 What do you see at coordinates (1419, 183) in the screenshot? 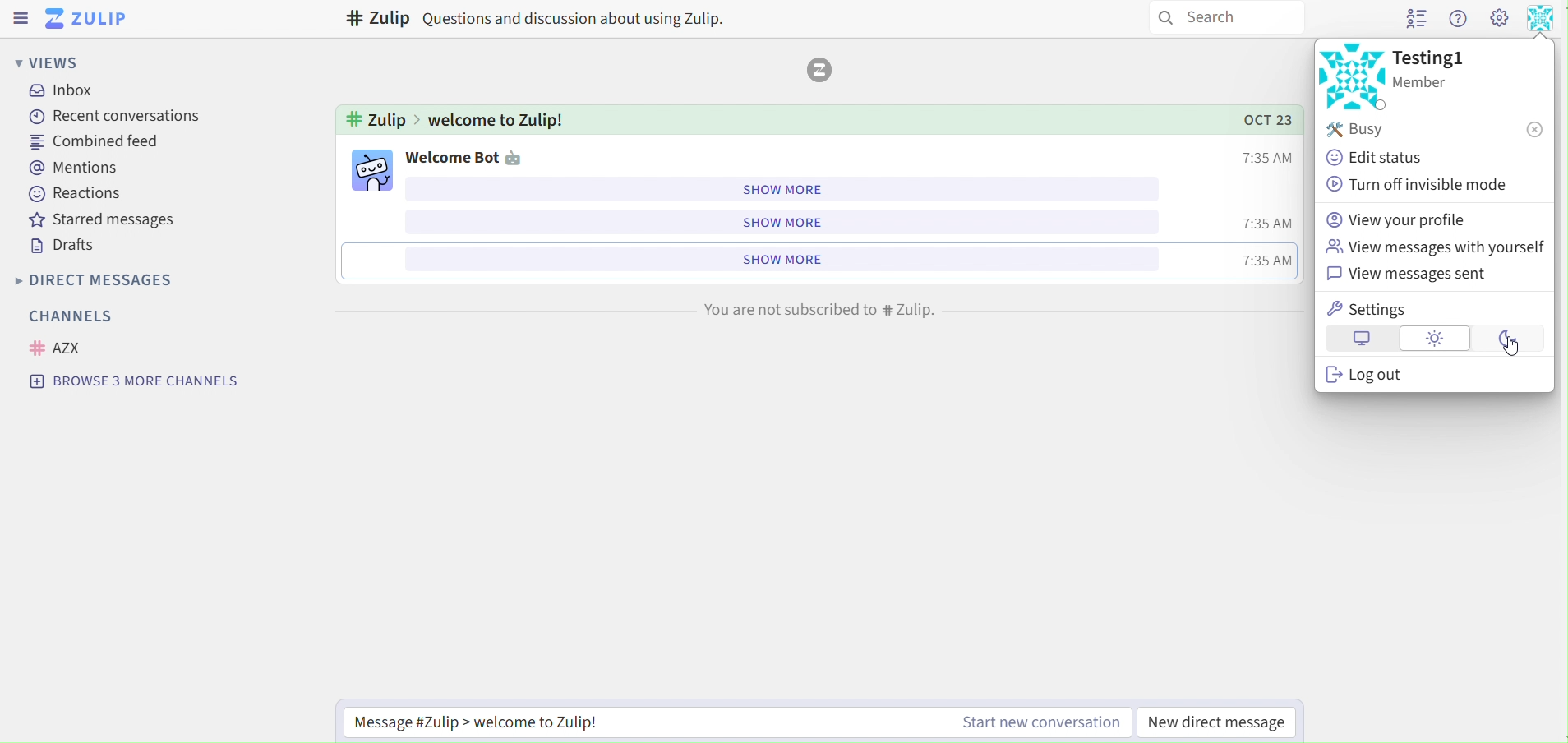
I see `turn off invisible mode` at bounding box center [1419, 183].